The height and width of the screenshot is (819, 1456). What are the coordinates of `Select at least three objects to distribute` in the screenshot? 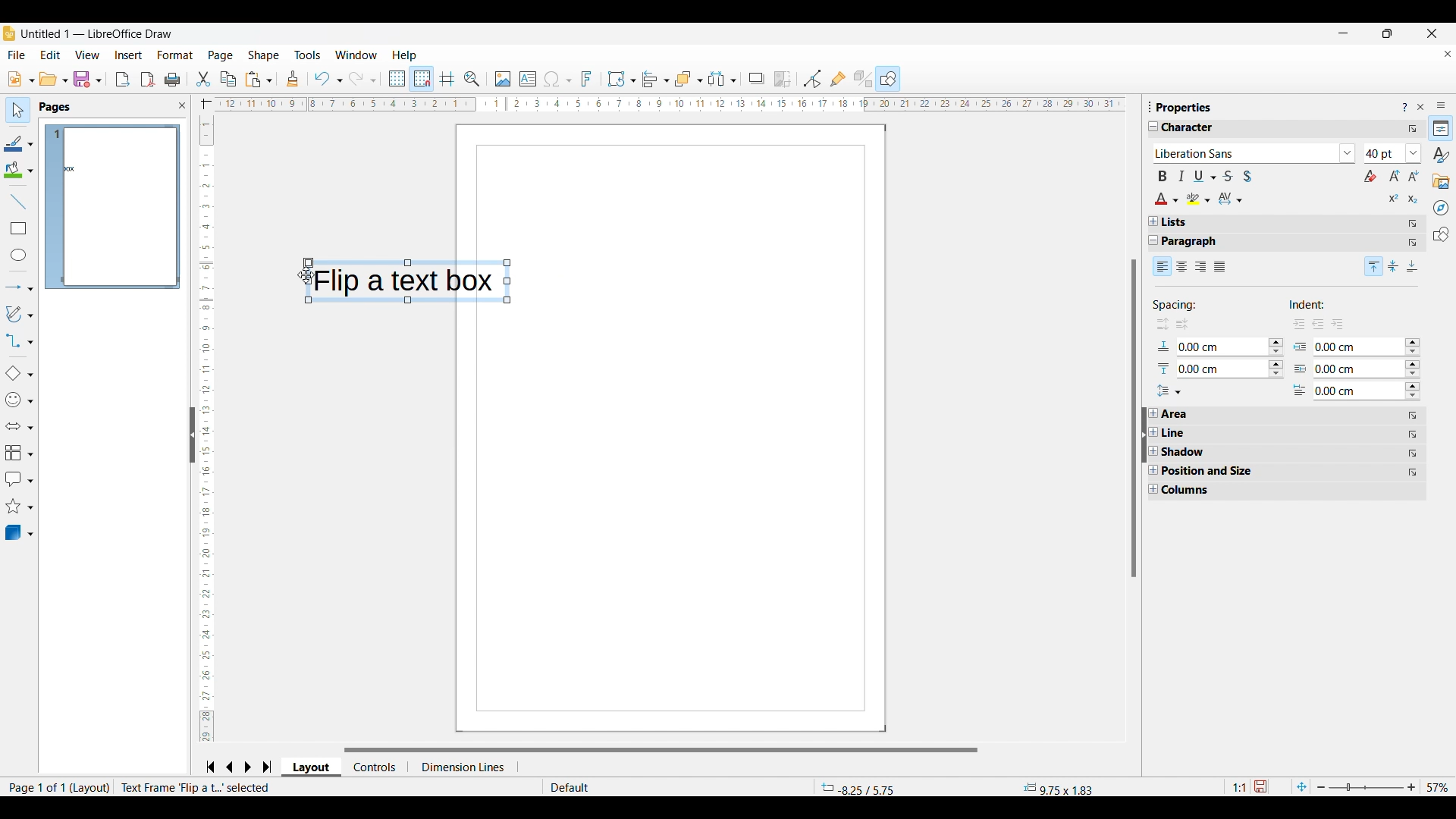 It's located at (722, 80).